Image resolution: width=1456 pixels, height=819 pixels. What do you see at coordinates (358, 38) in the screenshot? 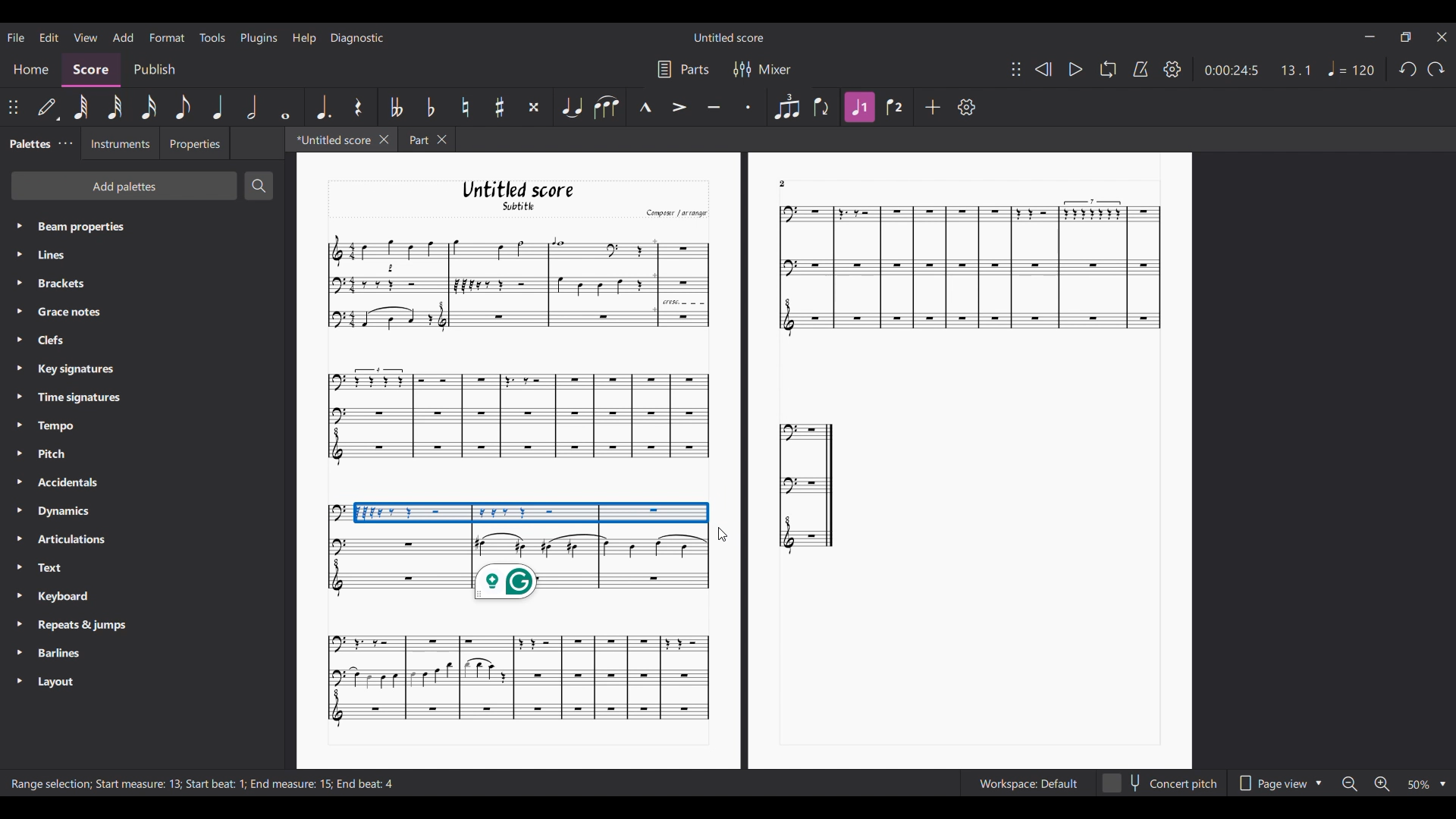
I see `Diagnostic menu` at bounding box center [358, 38].